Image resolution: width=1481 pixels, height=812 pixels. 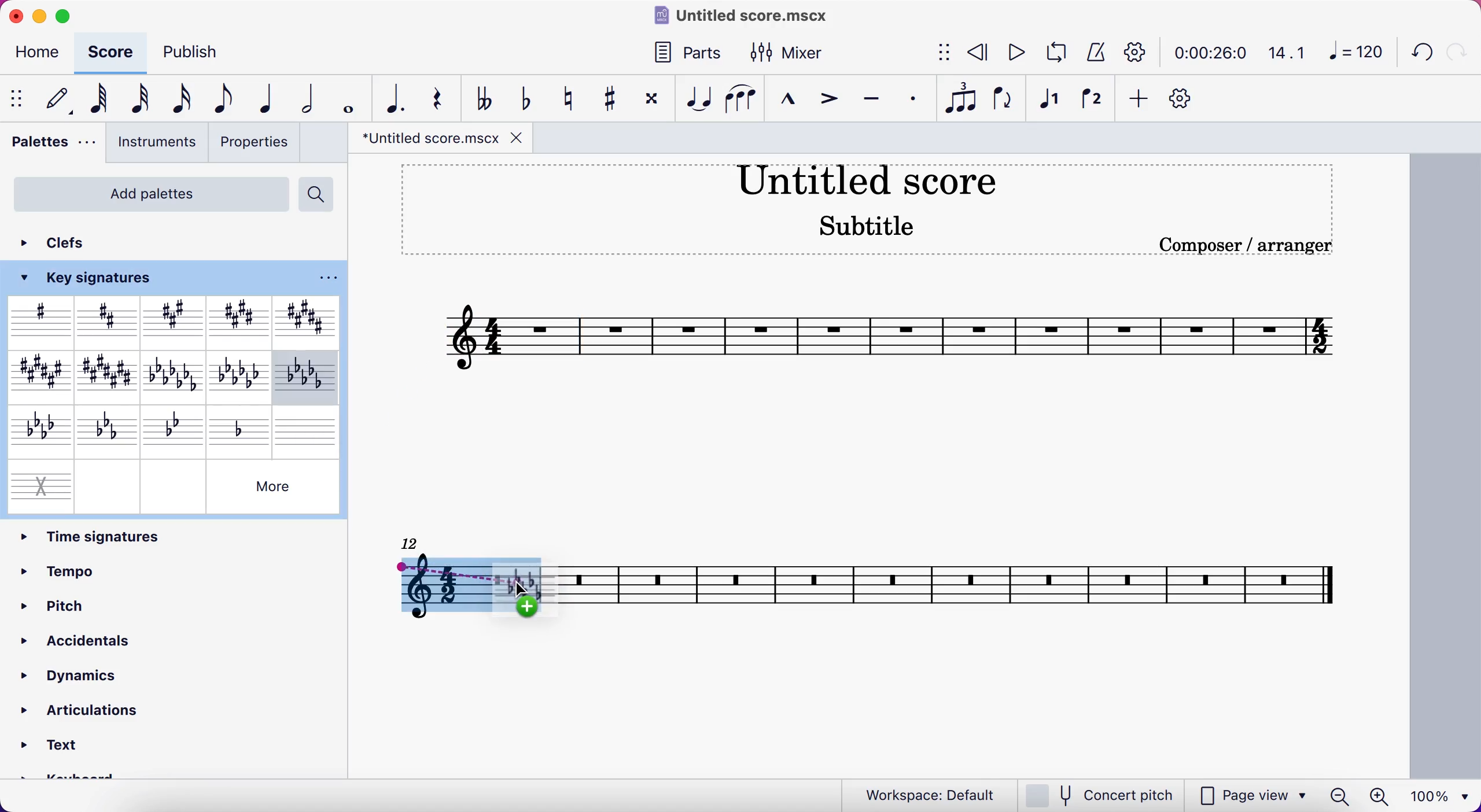 What do you see at coordinates (227, 97) in the screenshot?
I see `eight note` at bounding box center [227, 97].